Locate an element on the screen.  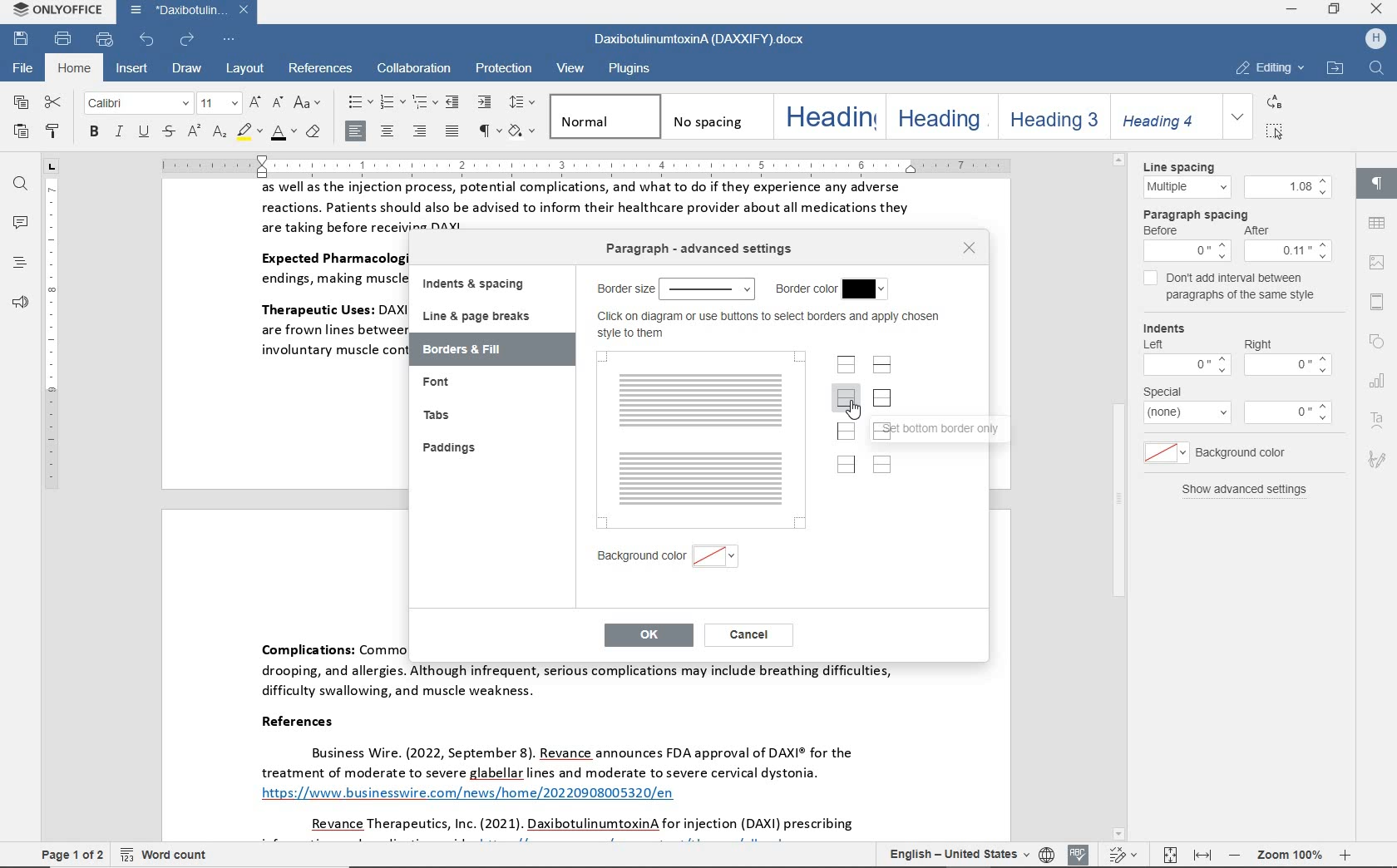
click on diagram or use buttons to select borders is located at coordinates (768, 325).